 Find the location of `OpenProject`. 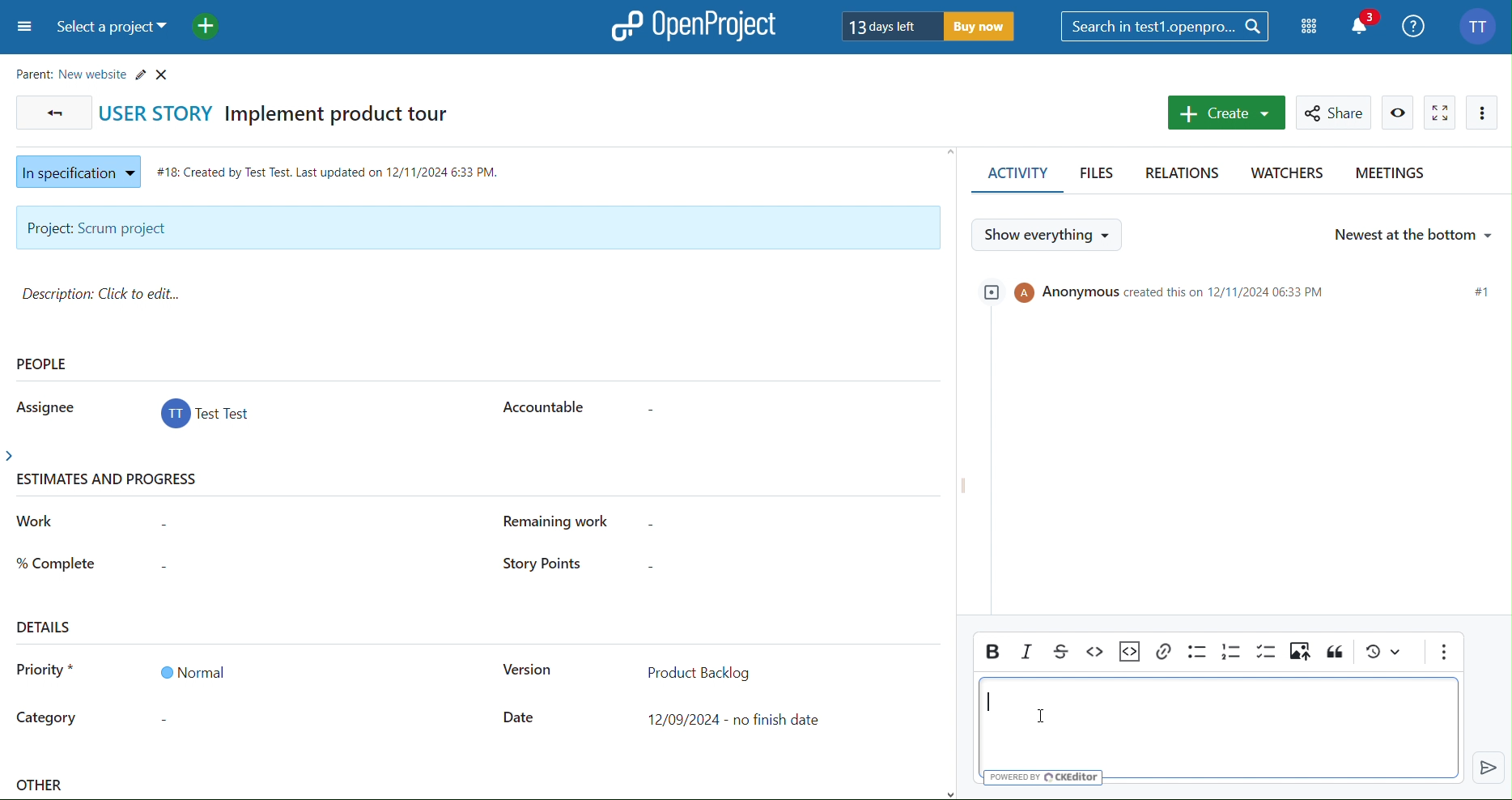

OpenProject is located at coordinates (695, 25).